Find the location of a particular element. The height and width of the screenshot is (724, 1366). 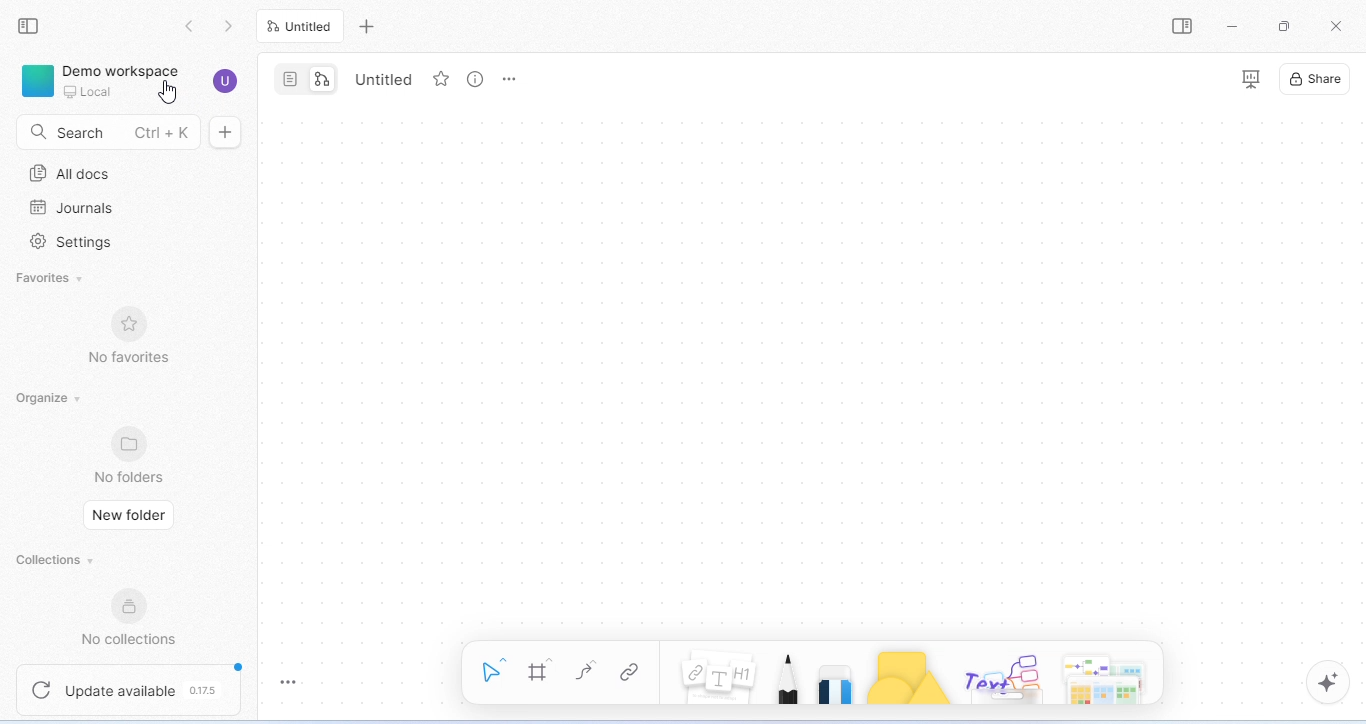

link is located at coordinates (631, 670).